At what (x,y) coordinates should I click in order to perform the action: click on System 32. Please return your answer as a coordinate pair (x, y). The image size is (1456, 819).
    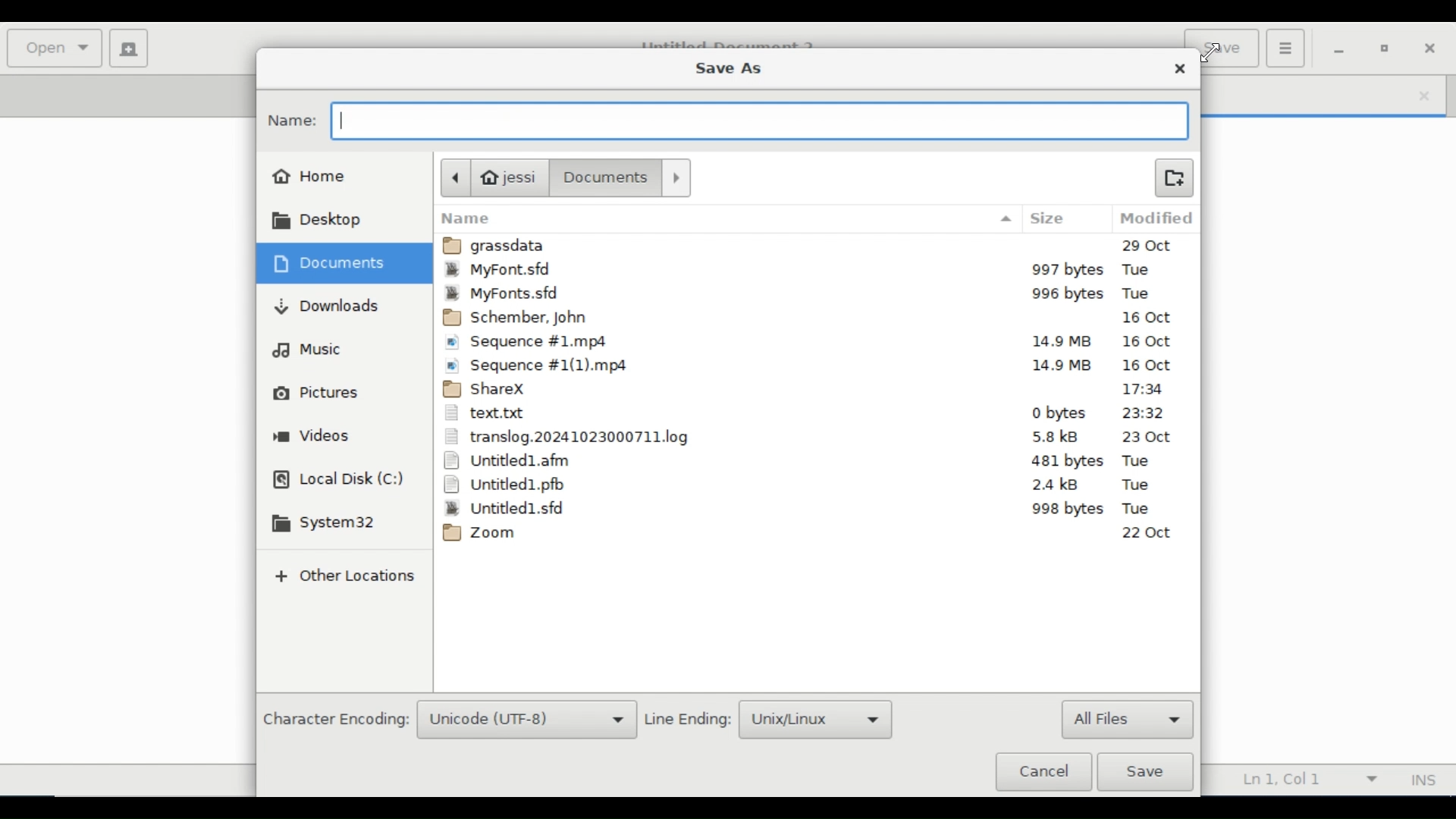
    Looking at the image, I should click on (322, 523).